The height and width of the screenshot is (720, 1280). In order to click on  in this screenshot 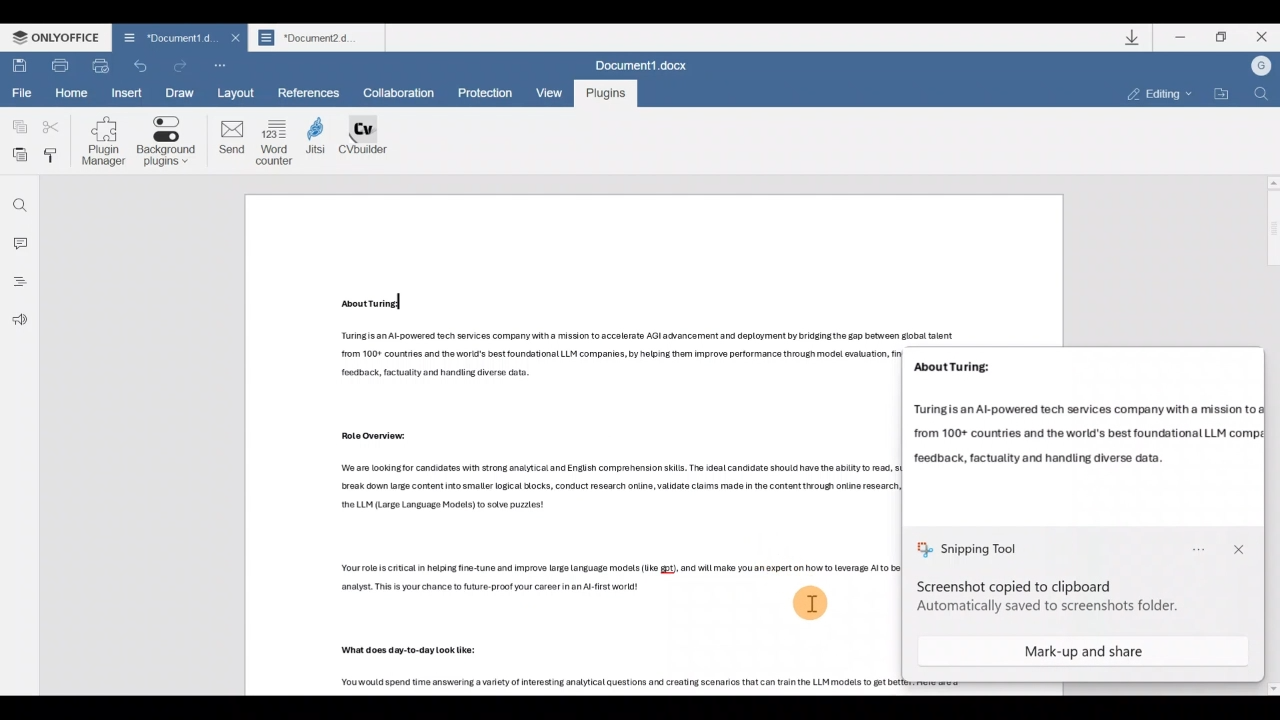, I will do `click(409, 650)`.